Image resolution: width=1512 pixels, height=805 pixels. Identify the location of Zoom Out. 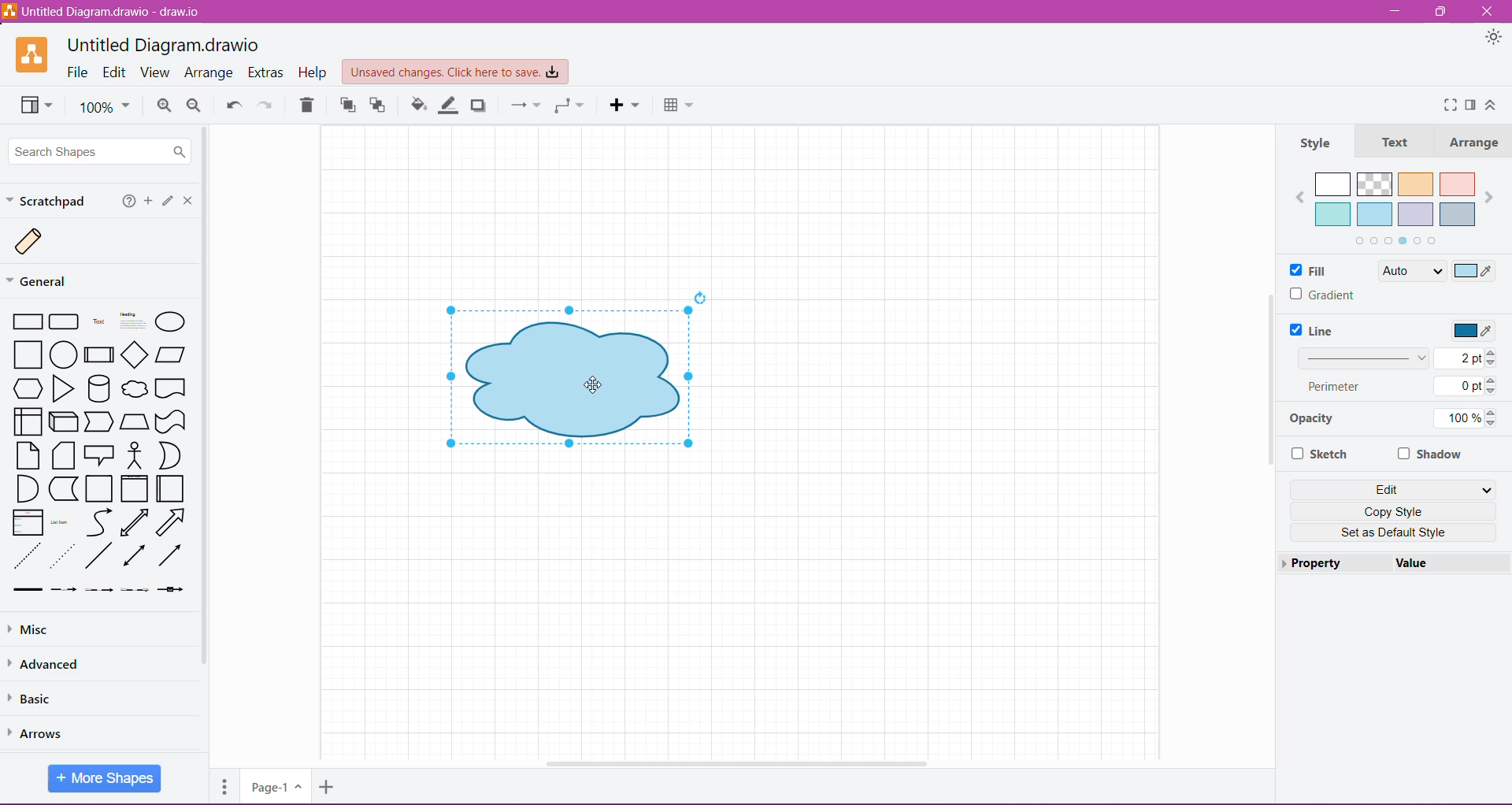
(195, 106).